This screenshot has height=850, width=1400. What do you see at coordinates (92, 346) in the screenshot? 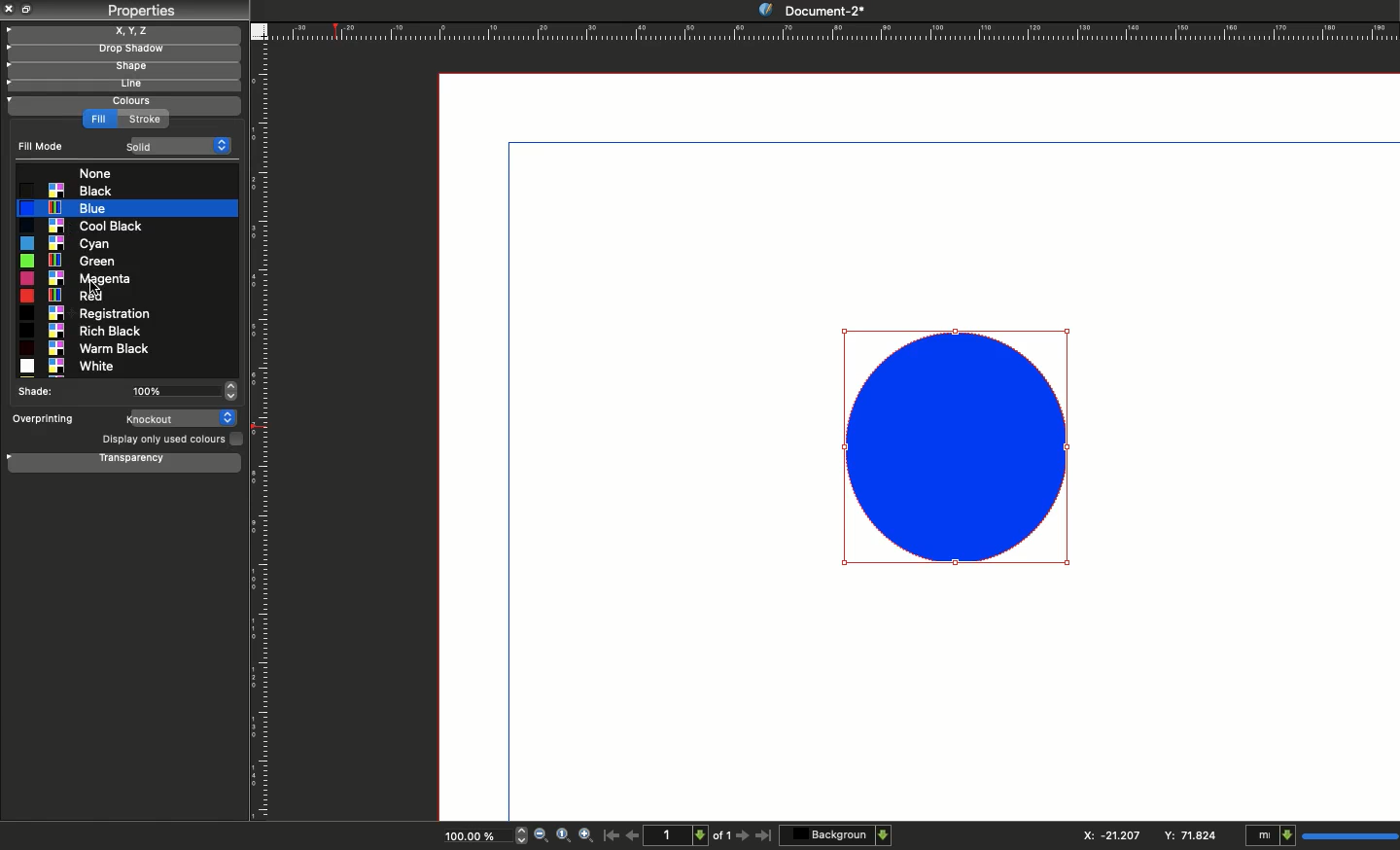
I see `Warm black` at bounding box center [92, 346].